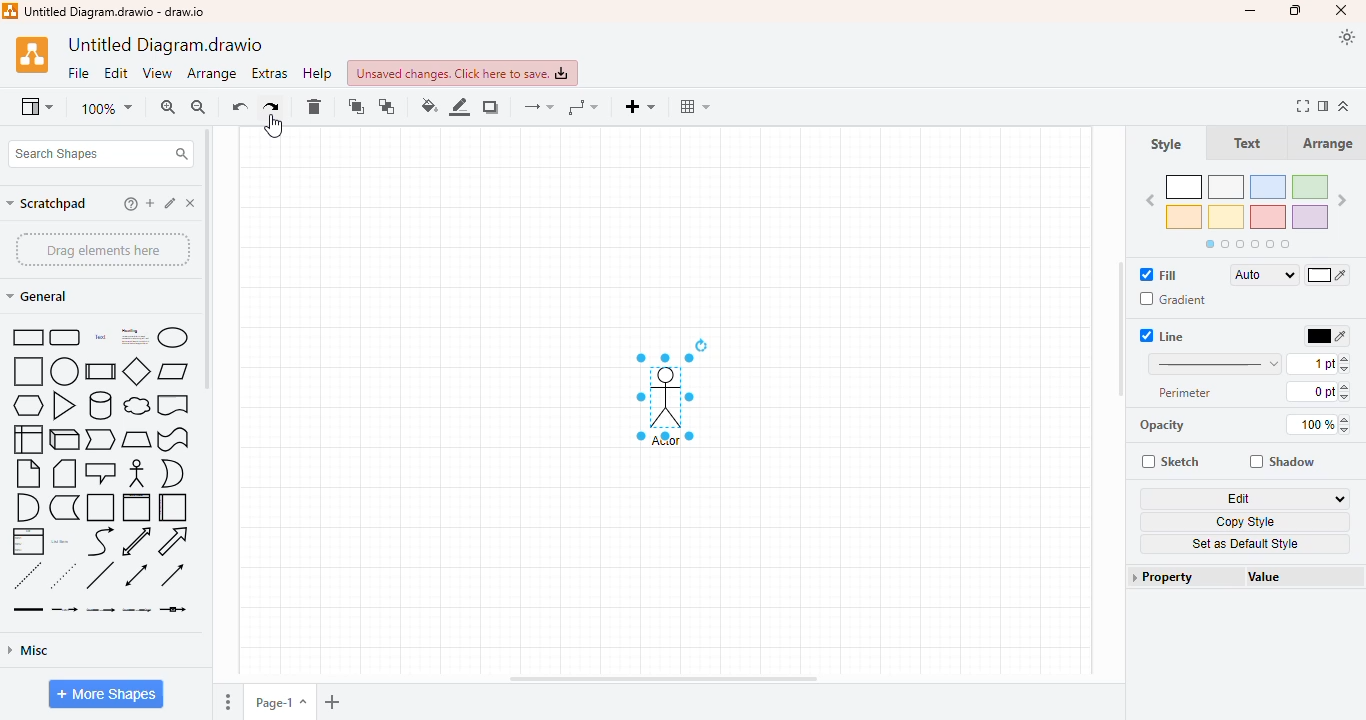  Describe the element at coordinates (106, 694) in the screenshot. I see `more shapes` at that location.